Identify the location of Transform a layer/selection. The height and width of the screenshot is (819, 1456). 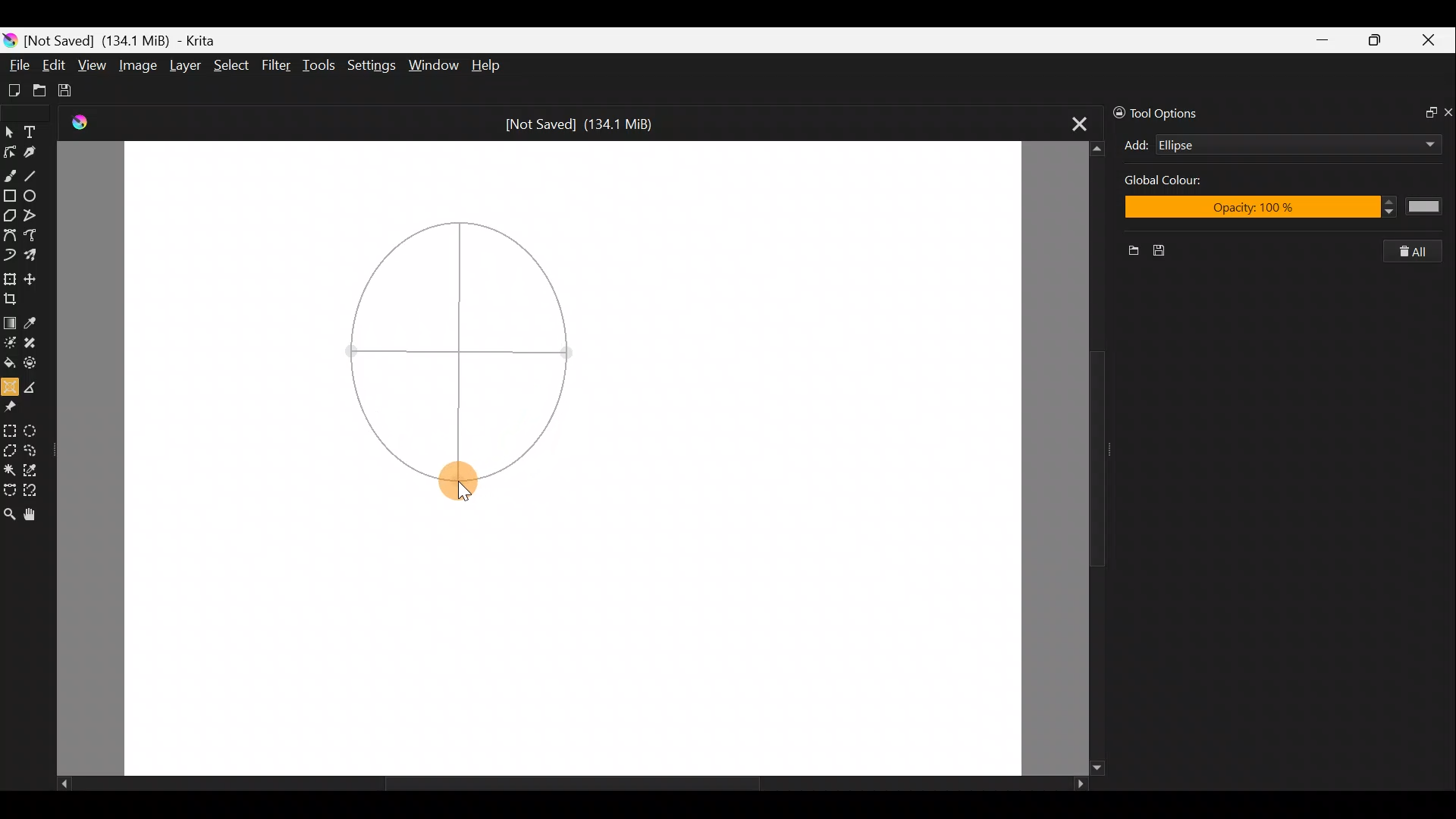
(11, 277).